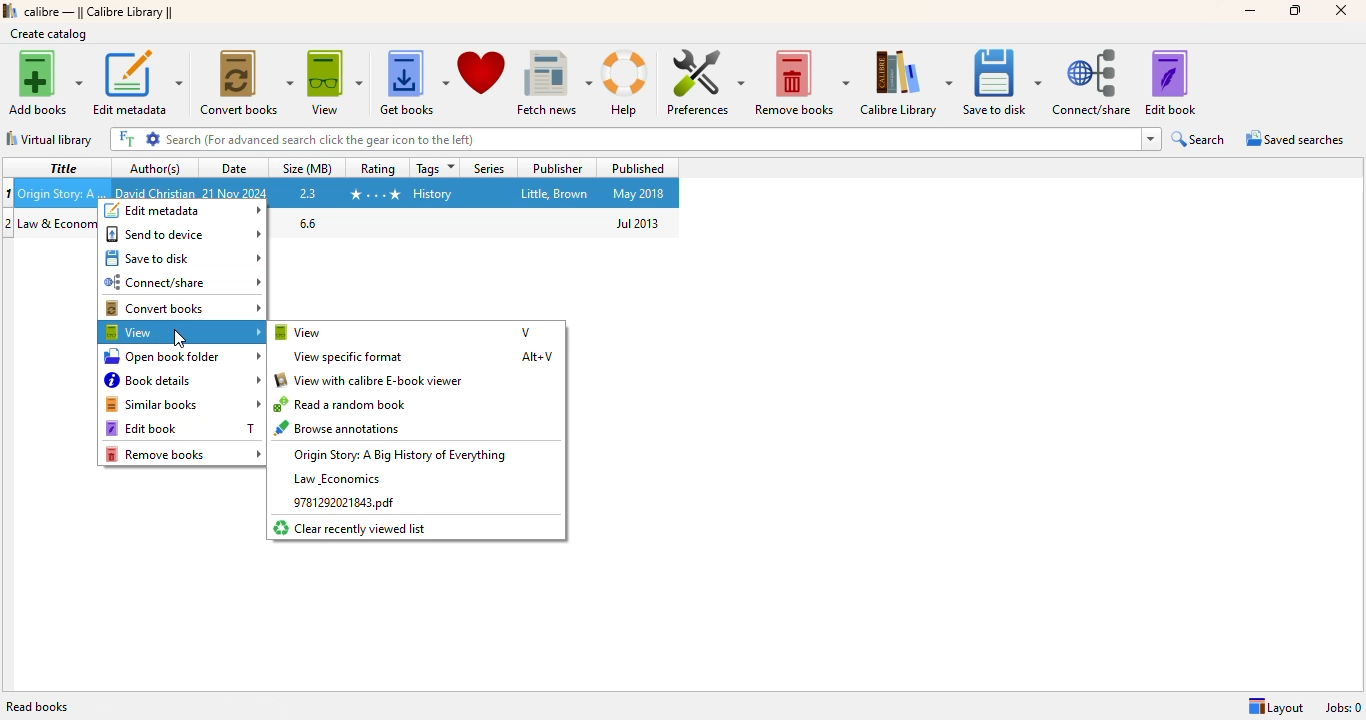  What do you see at coordinates (1200, 139) in the screenshot?
I see `search` at bounding box center [1200, 139].